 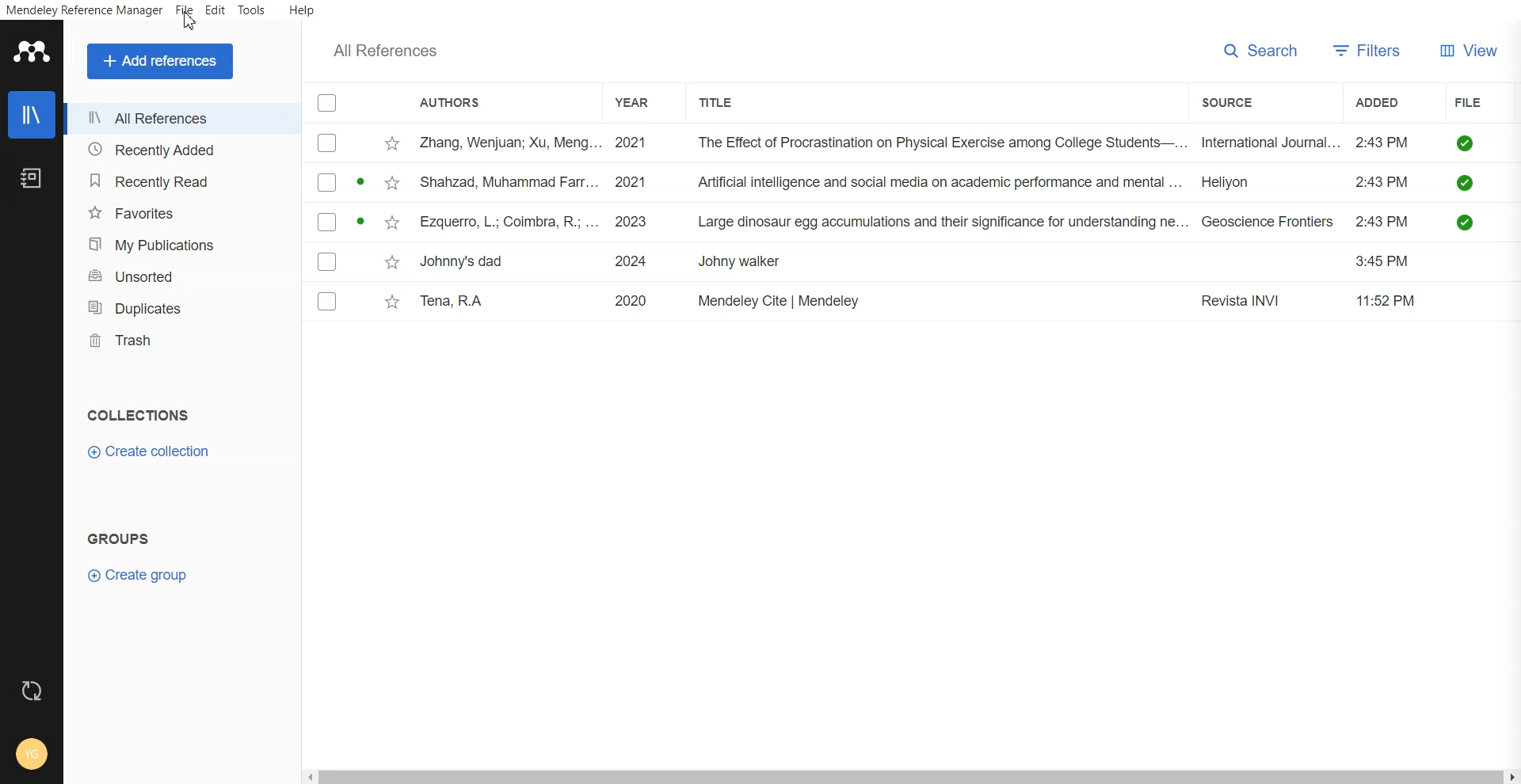 What do you see at coordinates (30, 51) in the screenshot?
I see `Logo` at bounding box center [30, 51].